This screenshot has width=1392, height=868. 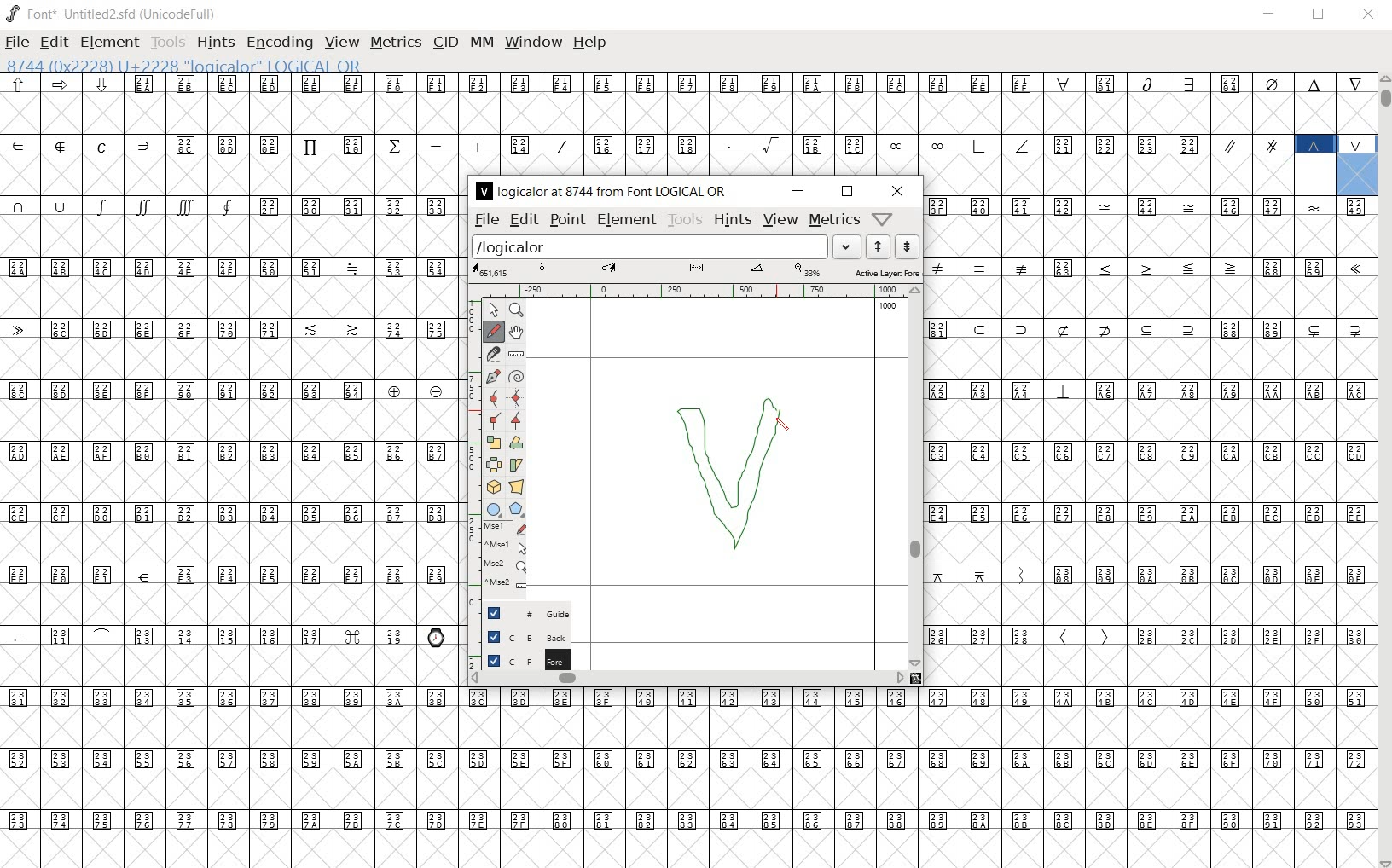 What do you see at coordinates (690, 292) in the screenshot?
I see `ruler` at bounding box center [690, 292].